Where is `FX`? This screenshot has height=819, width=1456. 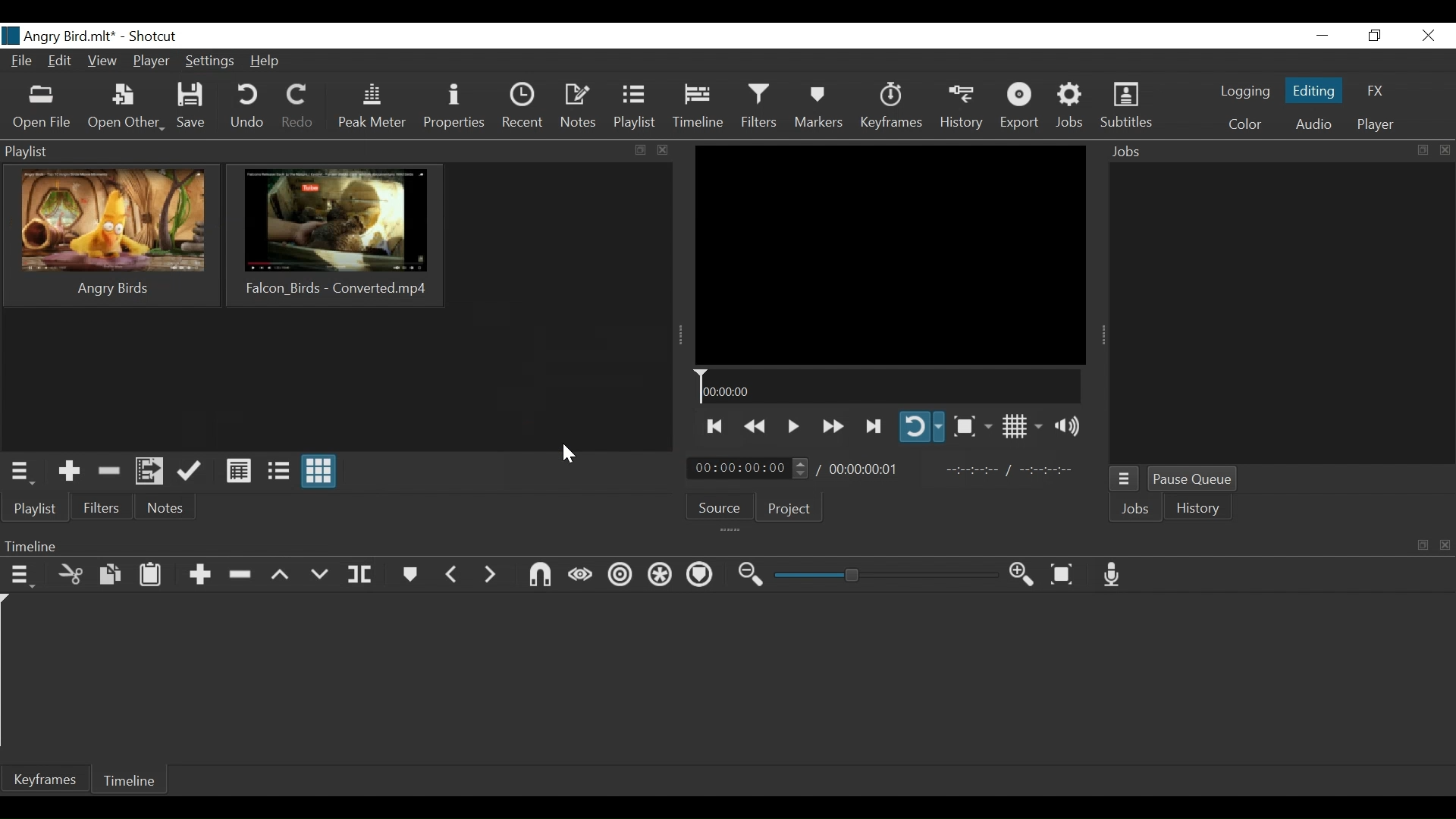
FX is located at coordinates (1376, 91).